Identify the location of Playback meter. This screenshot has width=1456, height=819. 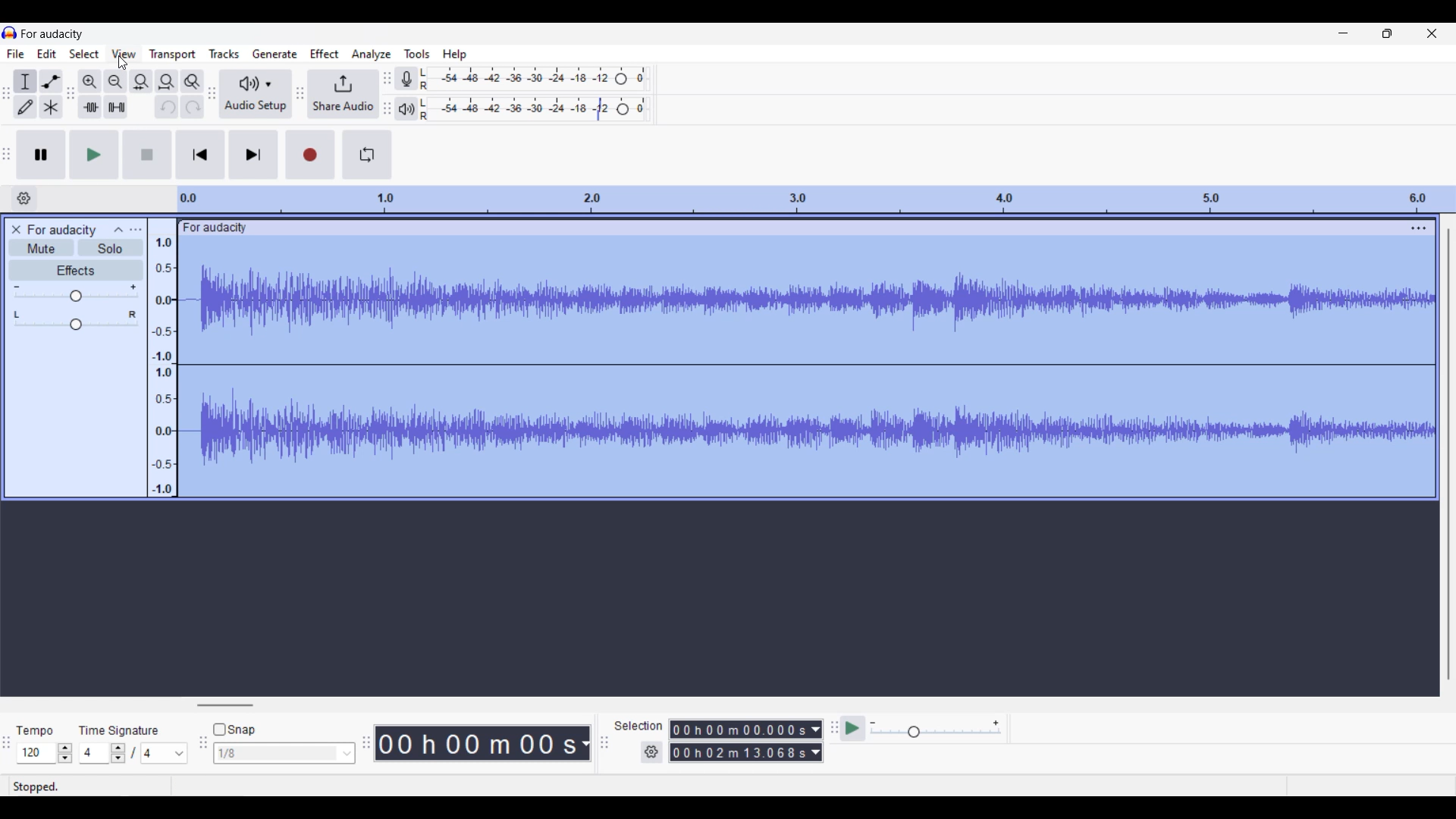
(404, 108).